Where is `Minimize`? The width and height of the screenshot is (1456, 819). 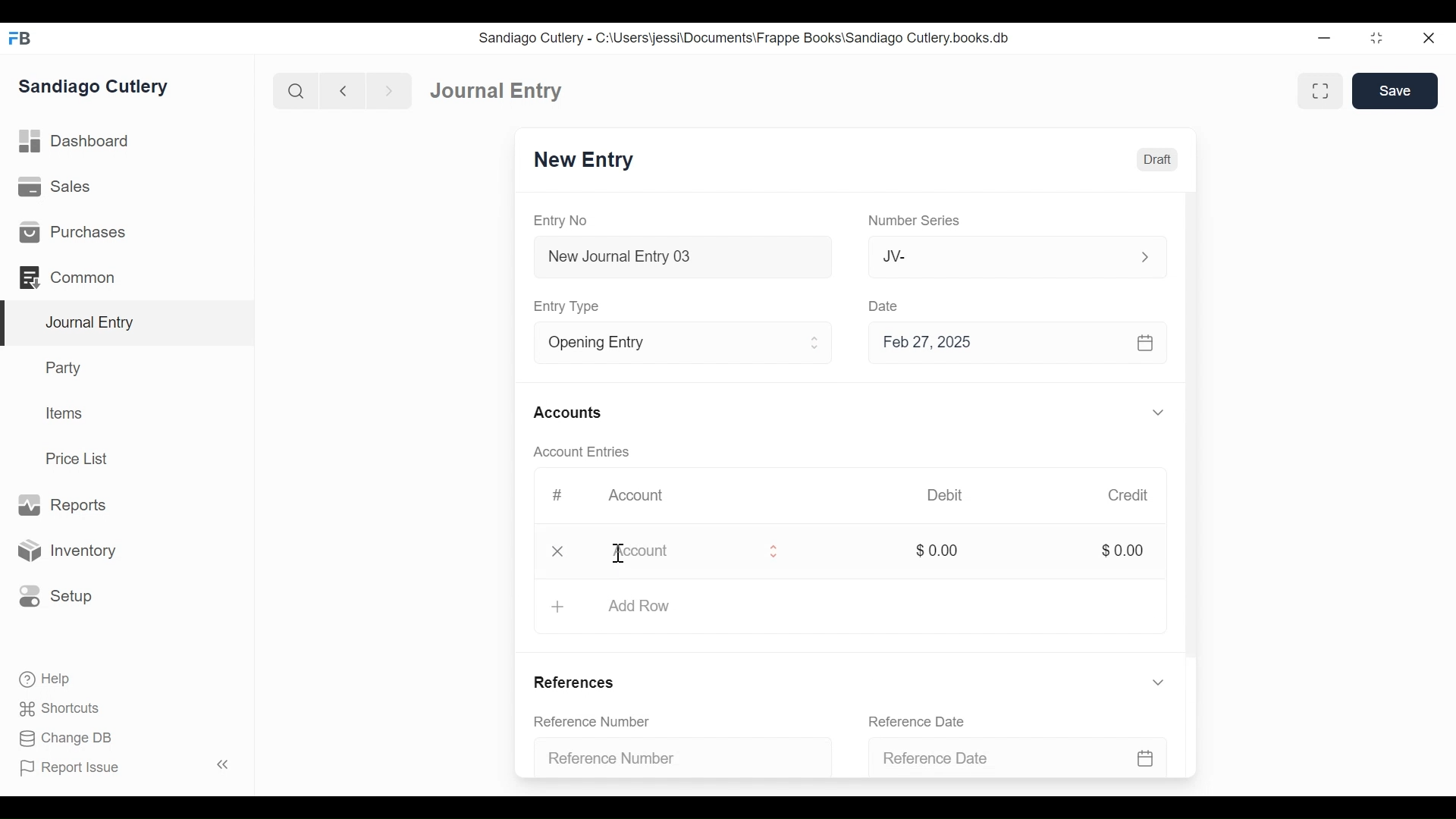 Minimize is located at coordinates (1326, 37).